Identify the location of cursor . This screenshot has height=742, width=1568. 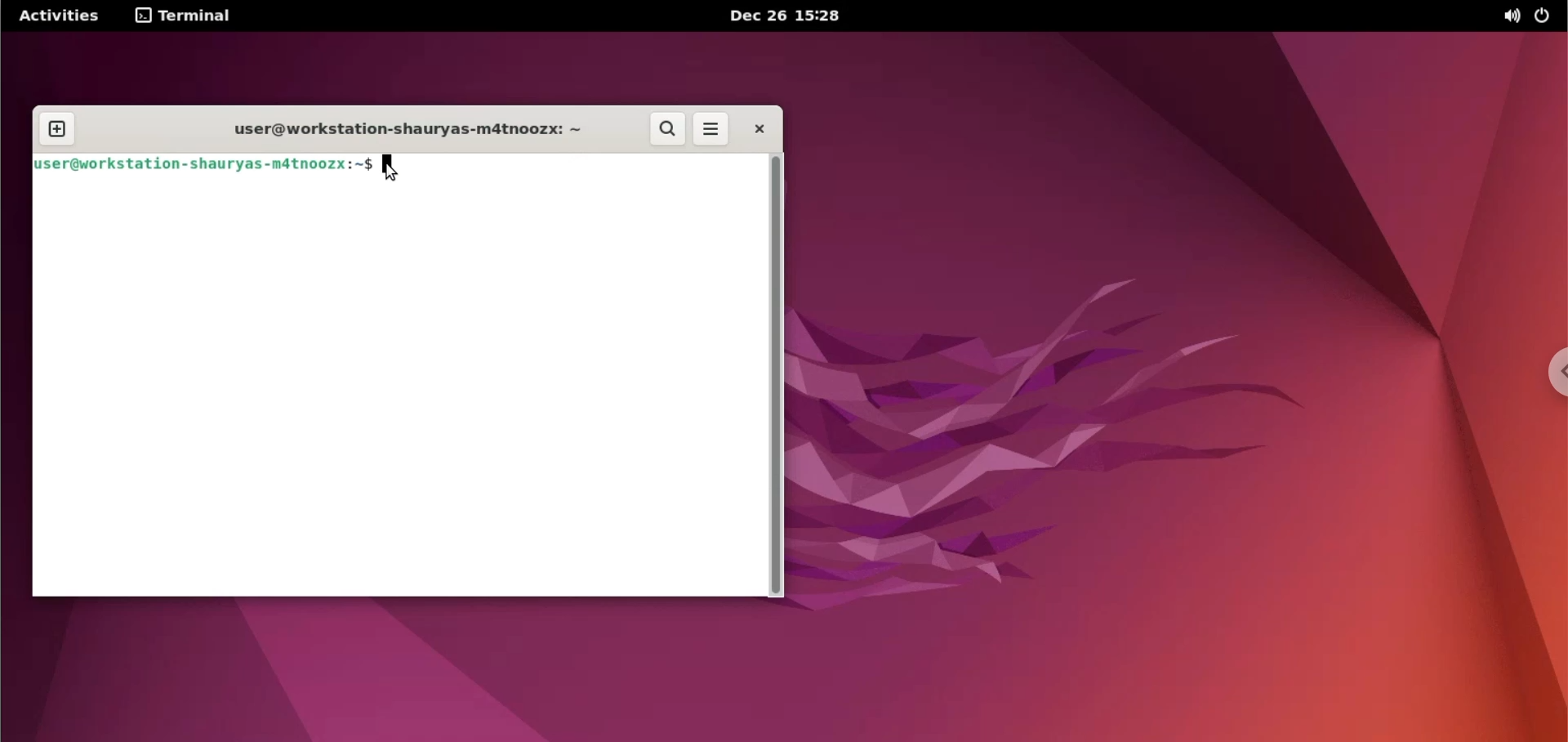
(394, 168).